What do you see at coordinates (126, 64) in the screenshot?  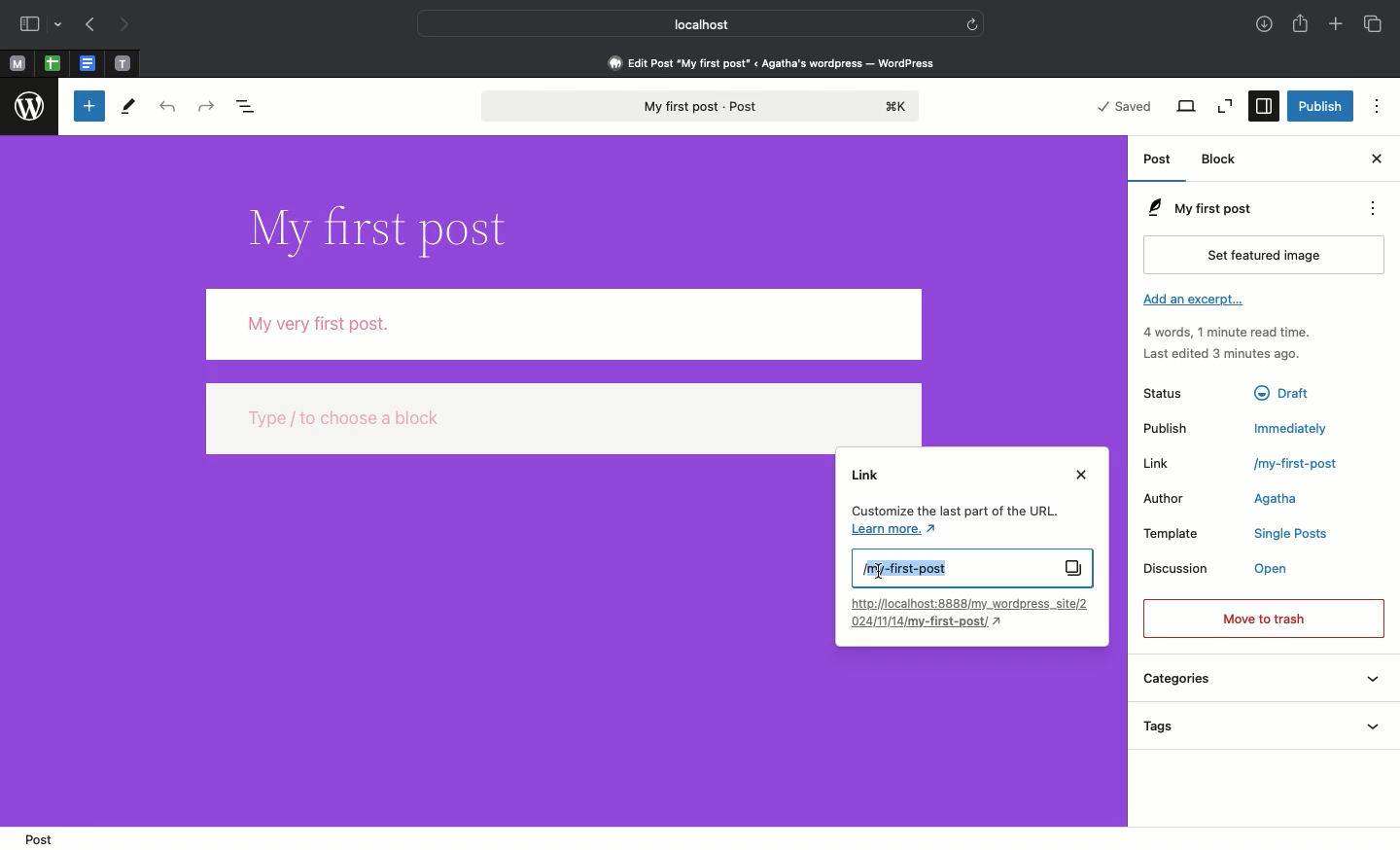 I see `pinned tabs` at bounding box center [126, 64].